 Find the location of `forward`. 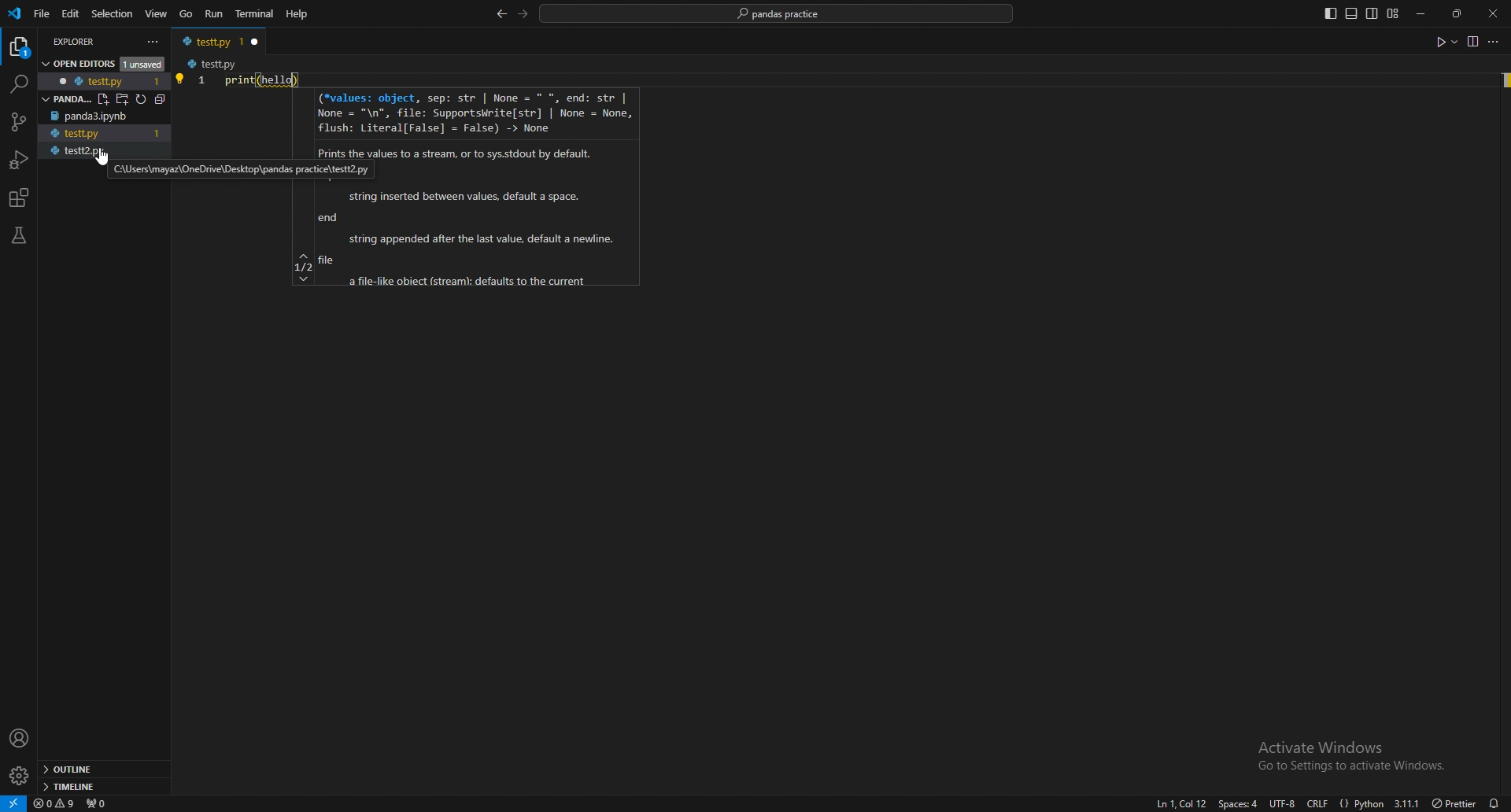

forward is located at coordinates (523, 13).